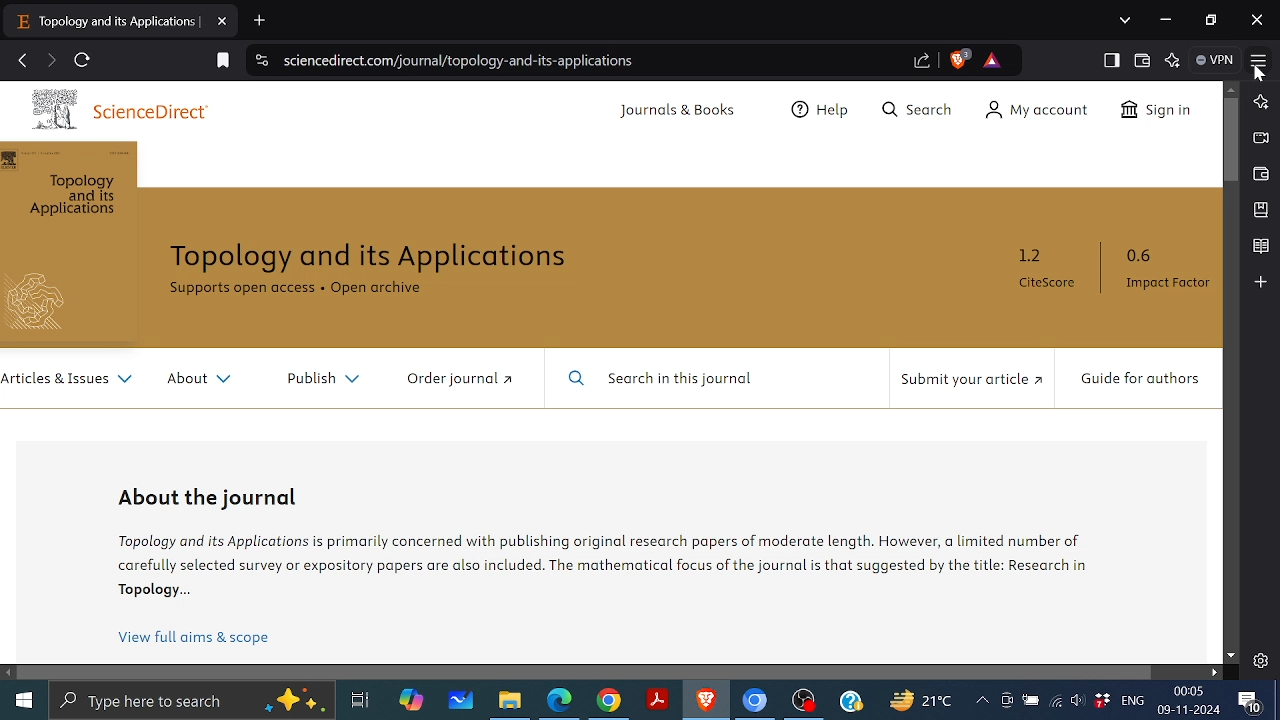 This screenshot has height=720, width=1280. What do you see at coordinates (923, 59) in the screenshot?
I see `Share this page` at bounding box center [923, 59].